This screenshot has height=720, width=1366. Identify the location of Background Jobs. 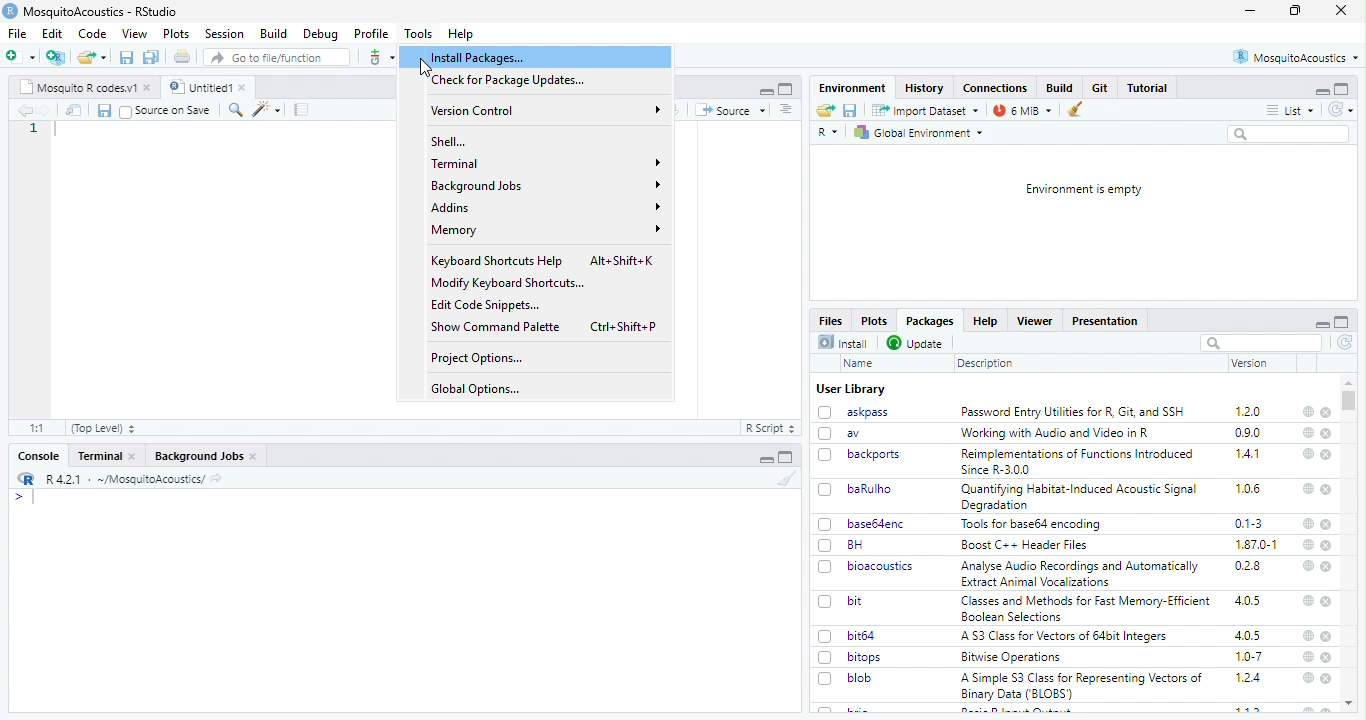
(198, 457).